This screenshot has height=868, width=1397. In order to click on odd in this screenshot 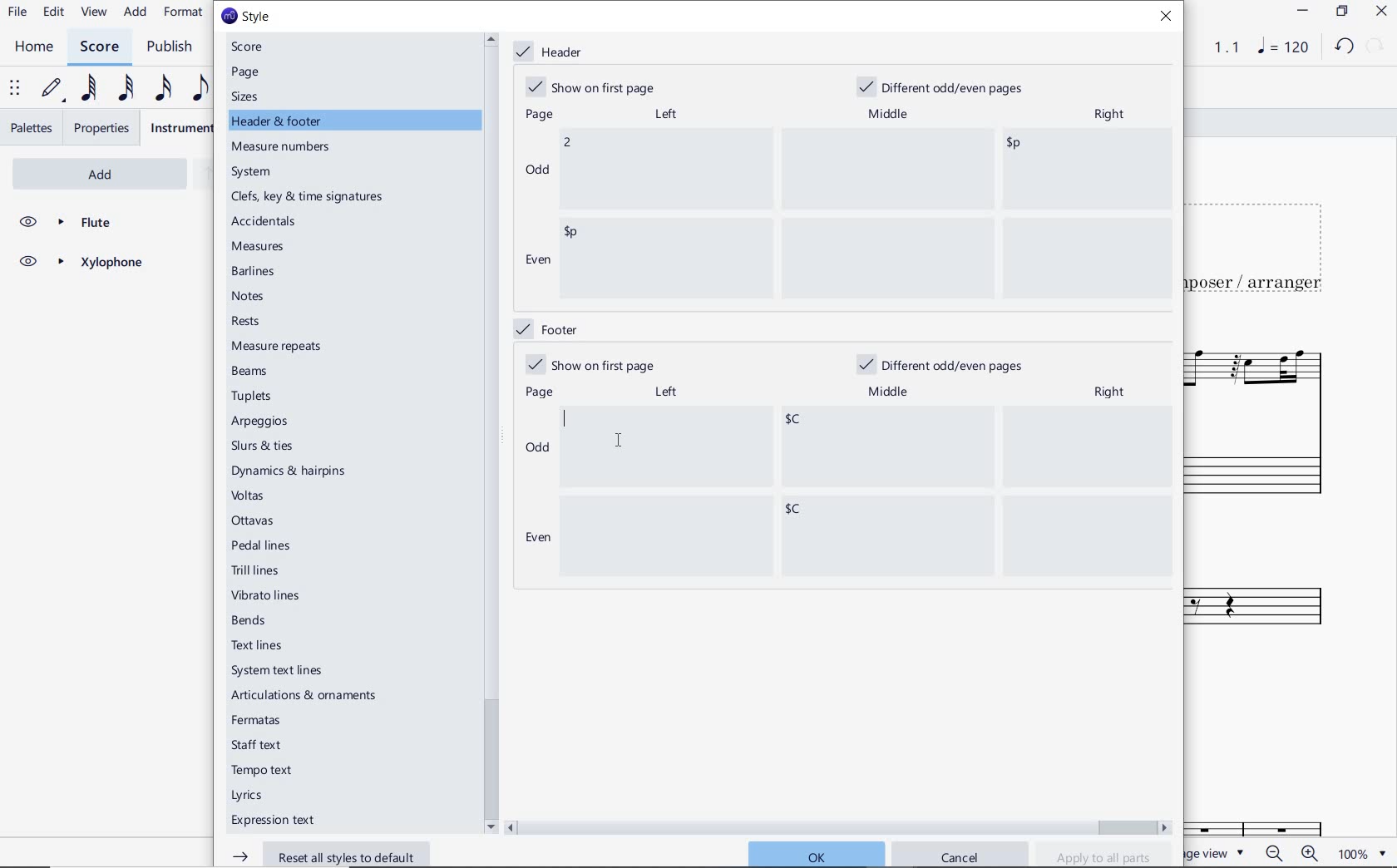, I will do `click(538, 450)`.